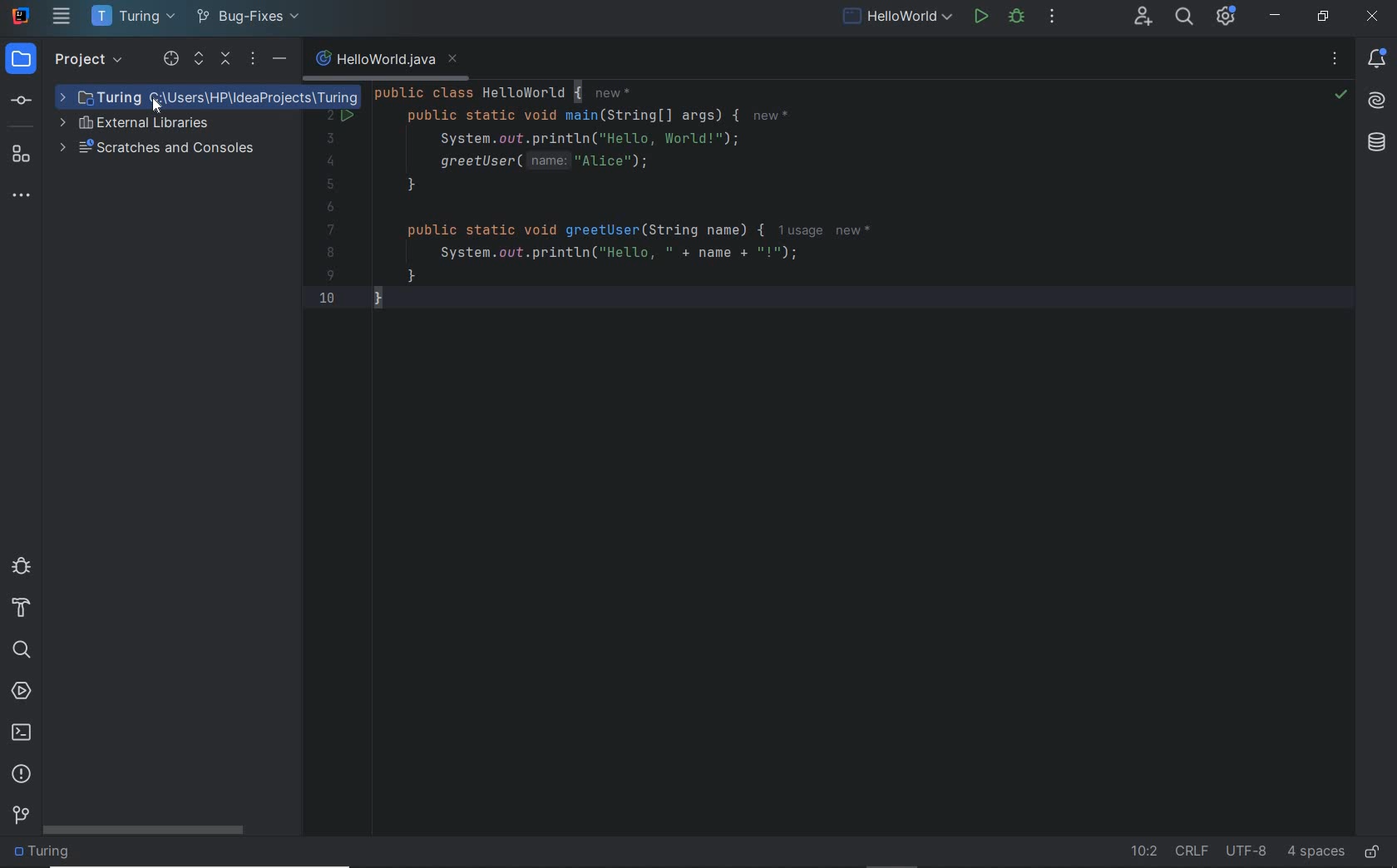 The height and width of the screenshot is (868, 1397). What do you see at coordinates (247, 18) in the screenshot?
I see `bug-fixes` at bounding box center [247, 18].